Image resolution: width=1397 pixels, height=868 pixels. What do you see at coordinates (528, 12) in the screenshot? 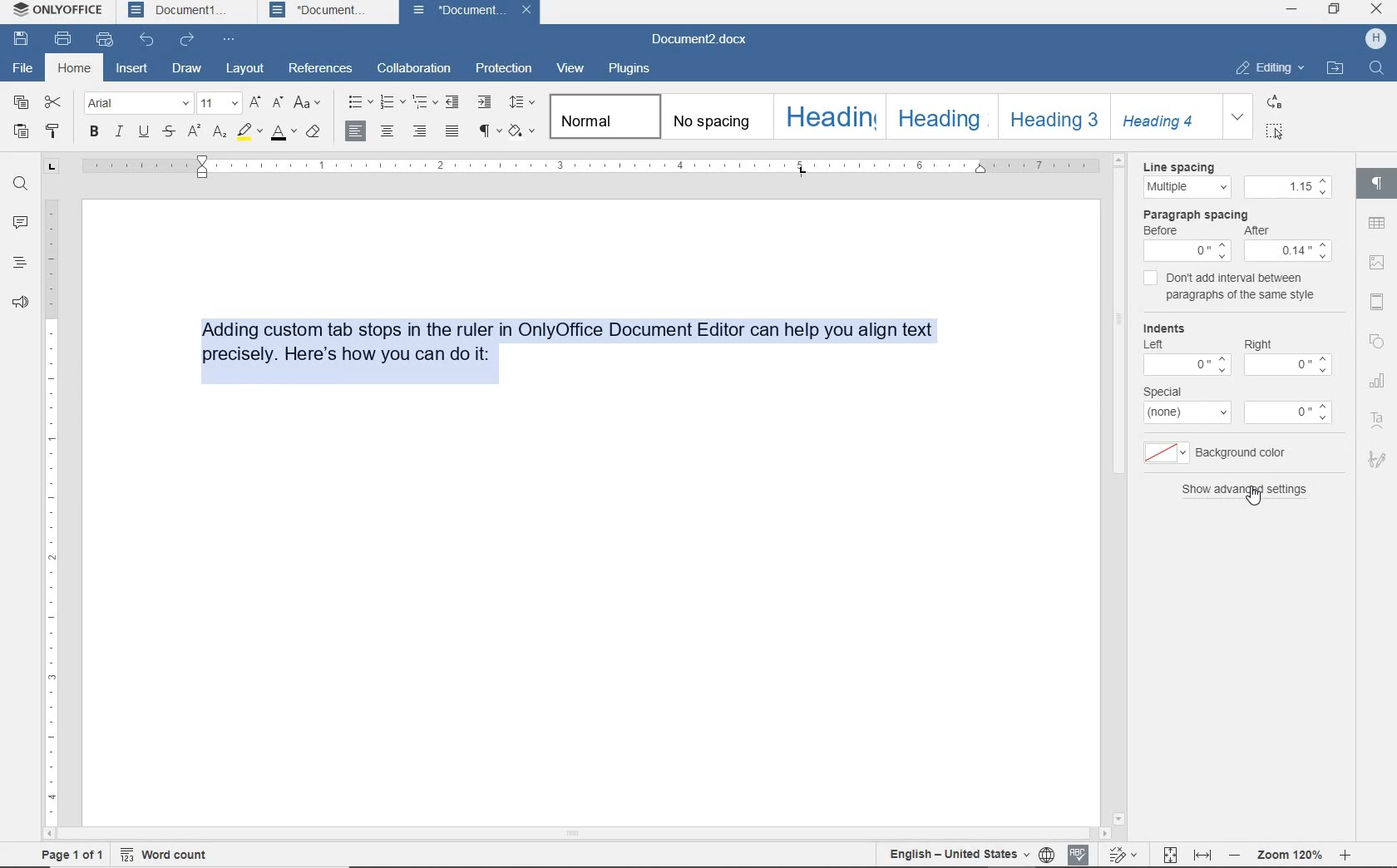
I see `close` at bounding box center [528, 12].